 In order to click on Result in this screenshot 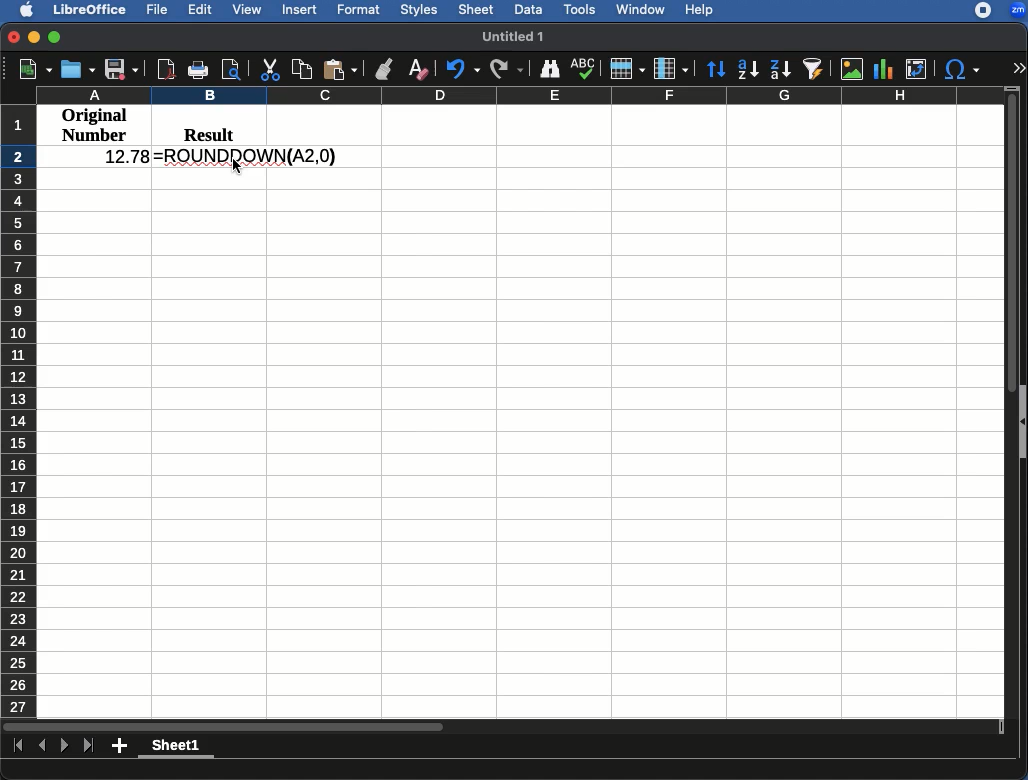, I will do `click(202, 132)`.